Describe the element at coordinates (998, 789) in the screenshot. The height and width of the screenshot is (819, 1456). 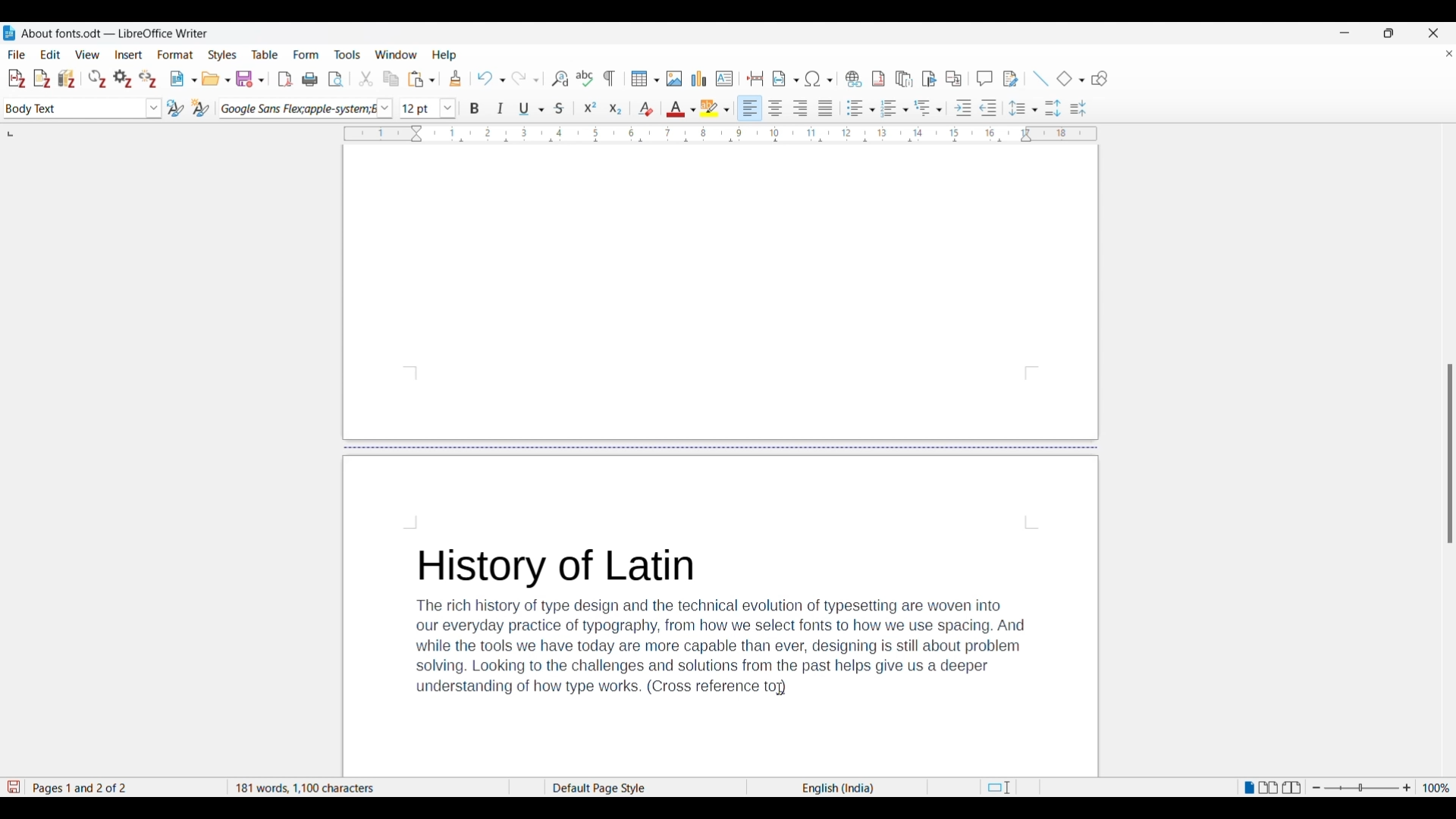
I see `Standard selection` at that location.